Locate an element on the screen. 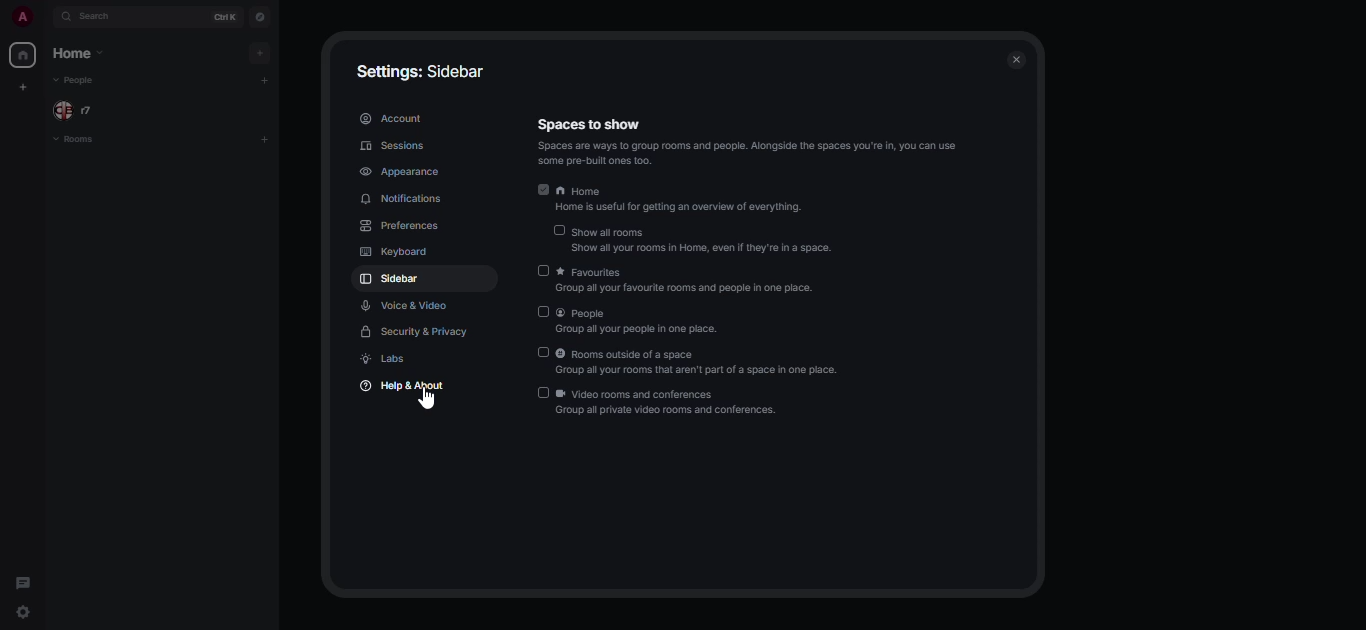 This screenshot has height=630, width=1366. disabled is located at coordinates (557, 230).